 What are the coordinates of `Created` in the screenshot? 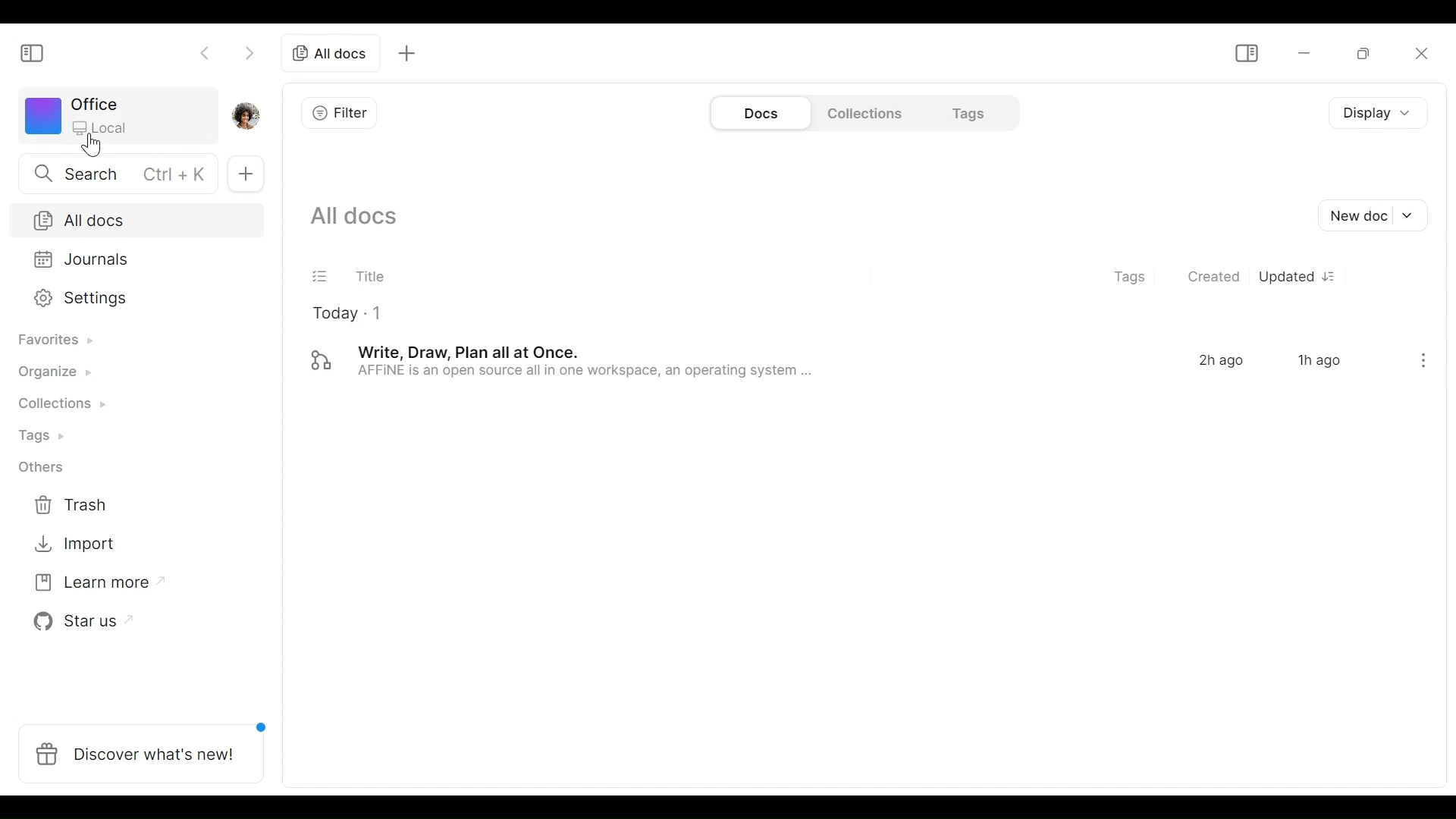 It's located at (1216, 278).